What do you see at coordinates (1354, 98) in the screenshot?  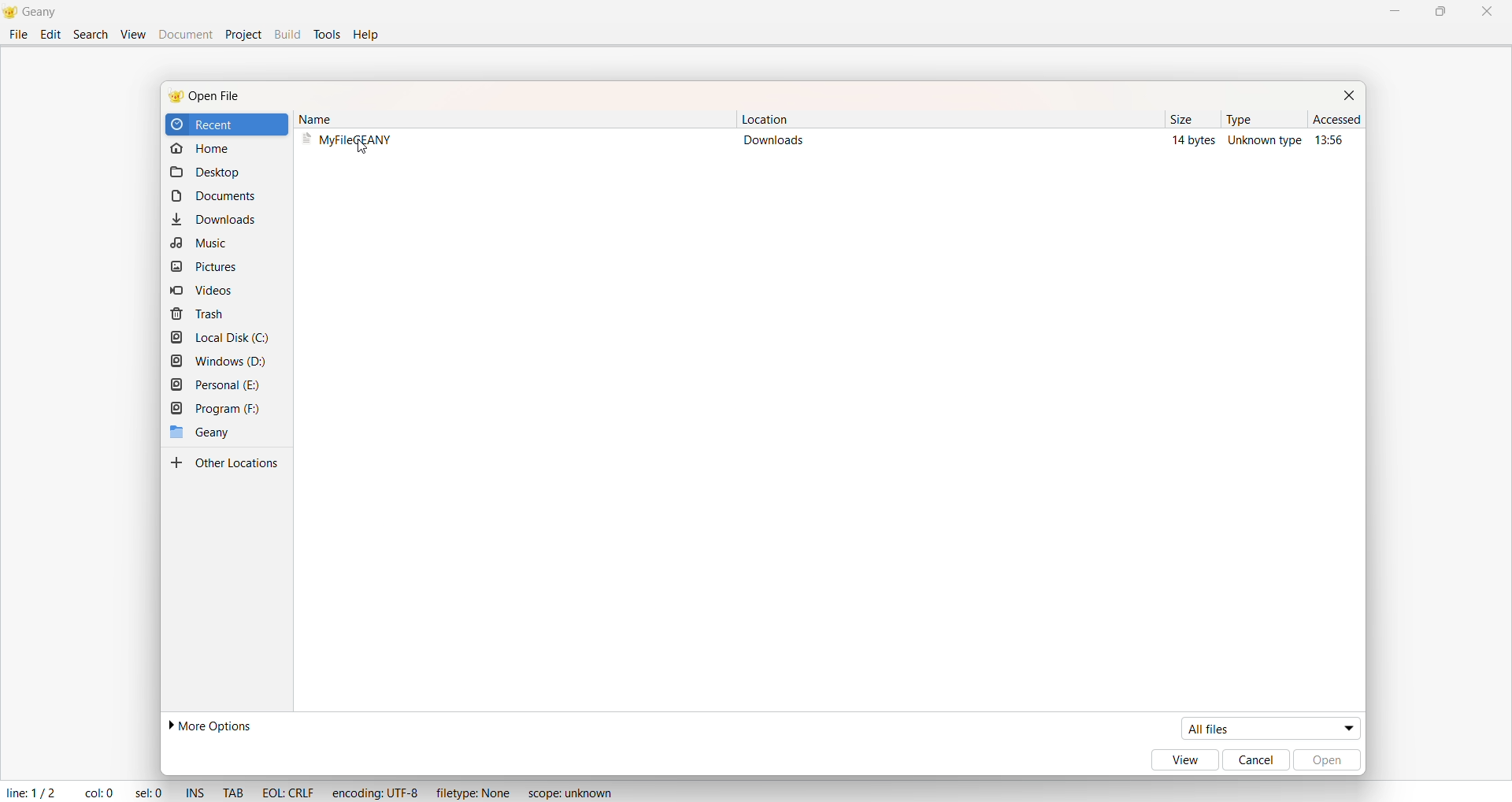 I see `close dialog` at bounding box center [1354, 98].